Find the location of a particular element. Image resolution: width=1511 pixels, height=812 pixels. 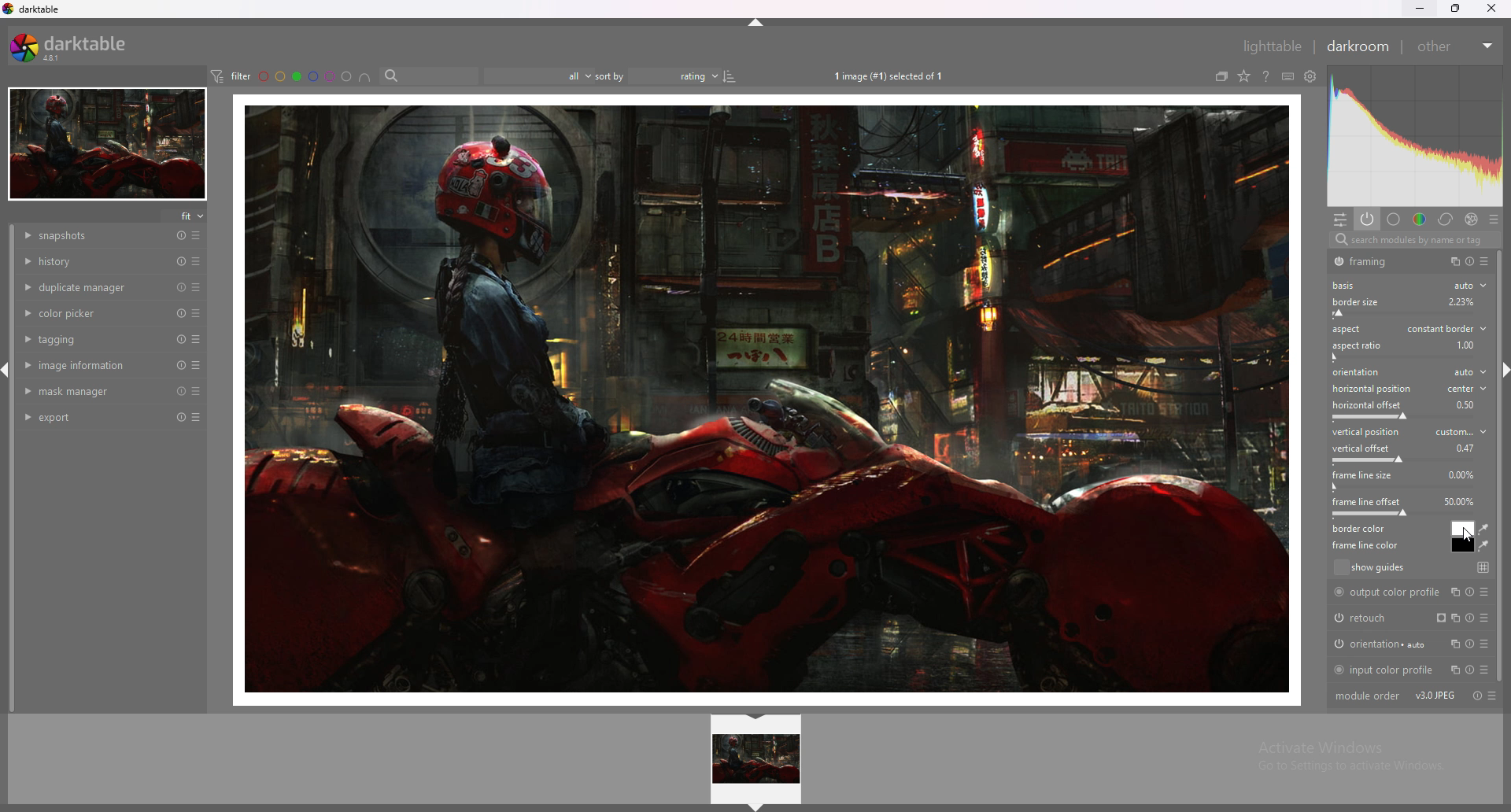

retouch is located at coordinates (1406, 618).